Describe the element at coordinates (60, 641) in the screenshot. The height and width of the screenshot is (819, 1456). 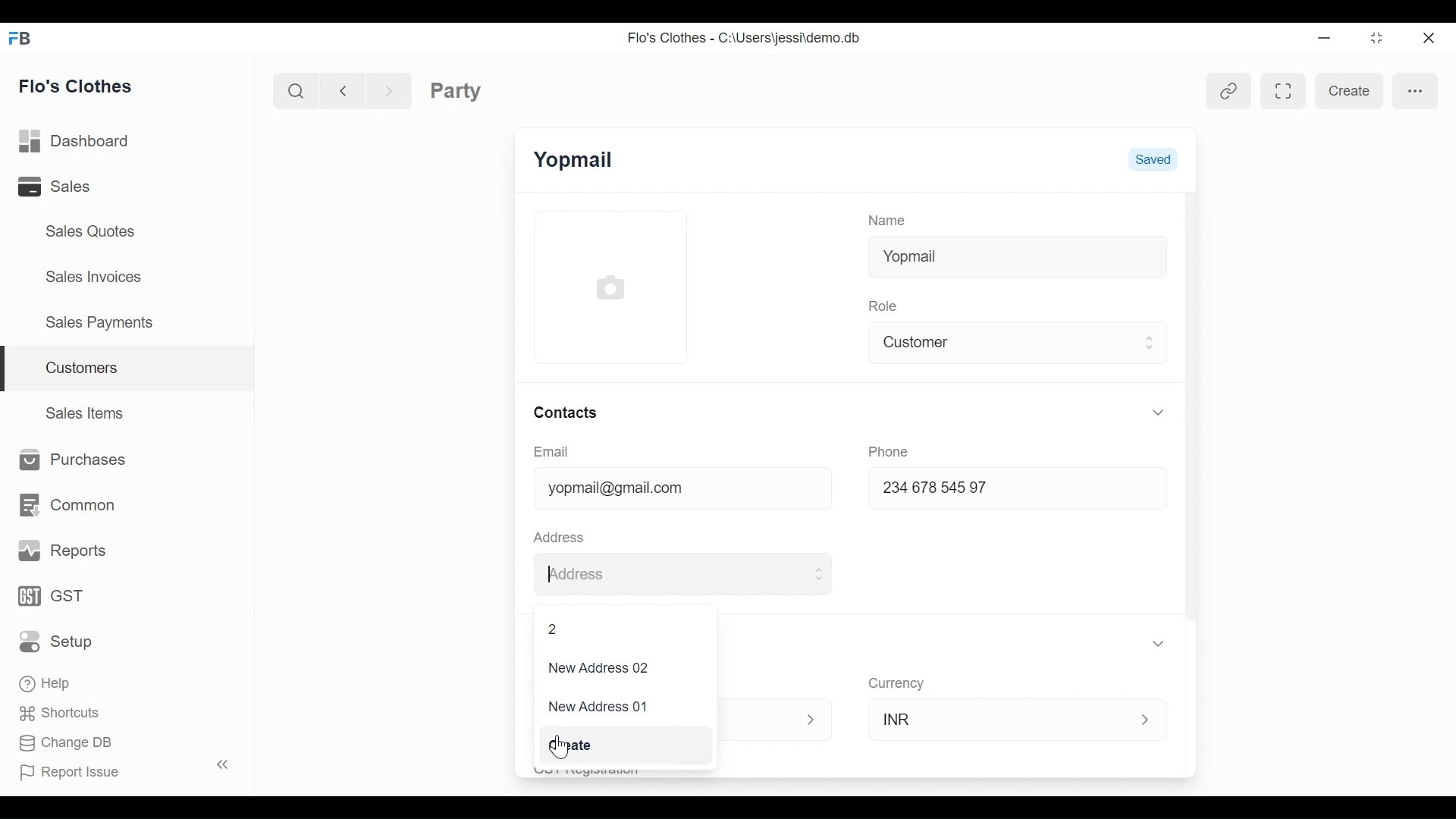
I see `Setup` at that location.